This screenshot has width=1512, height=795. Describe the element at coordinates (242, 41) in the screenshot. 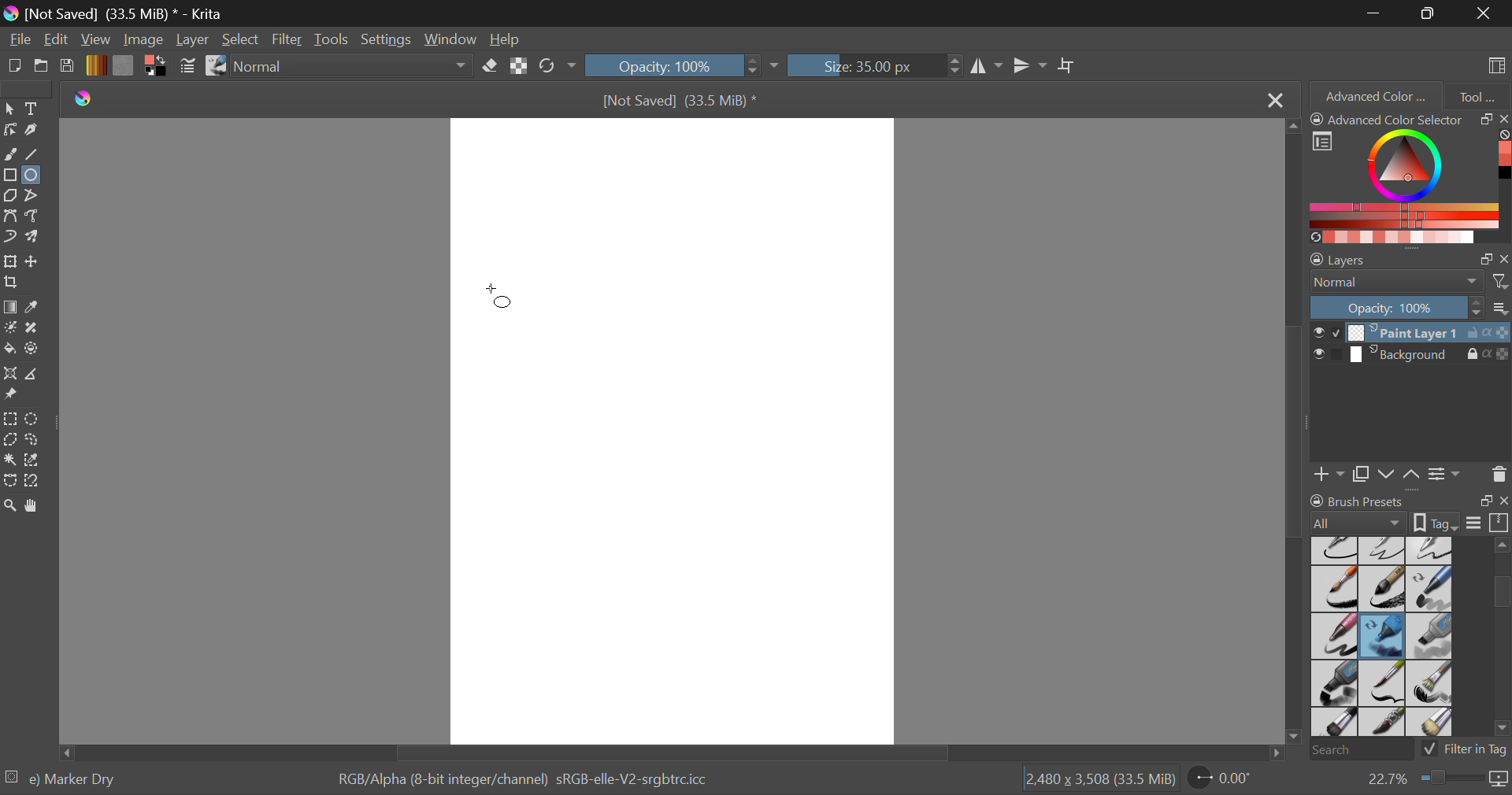

I see `Select` at that location.